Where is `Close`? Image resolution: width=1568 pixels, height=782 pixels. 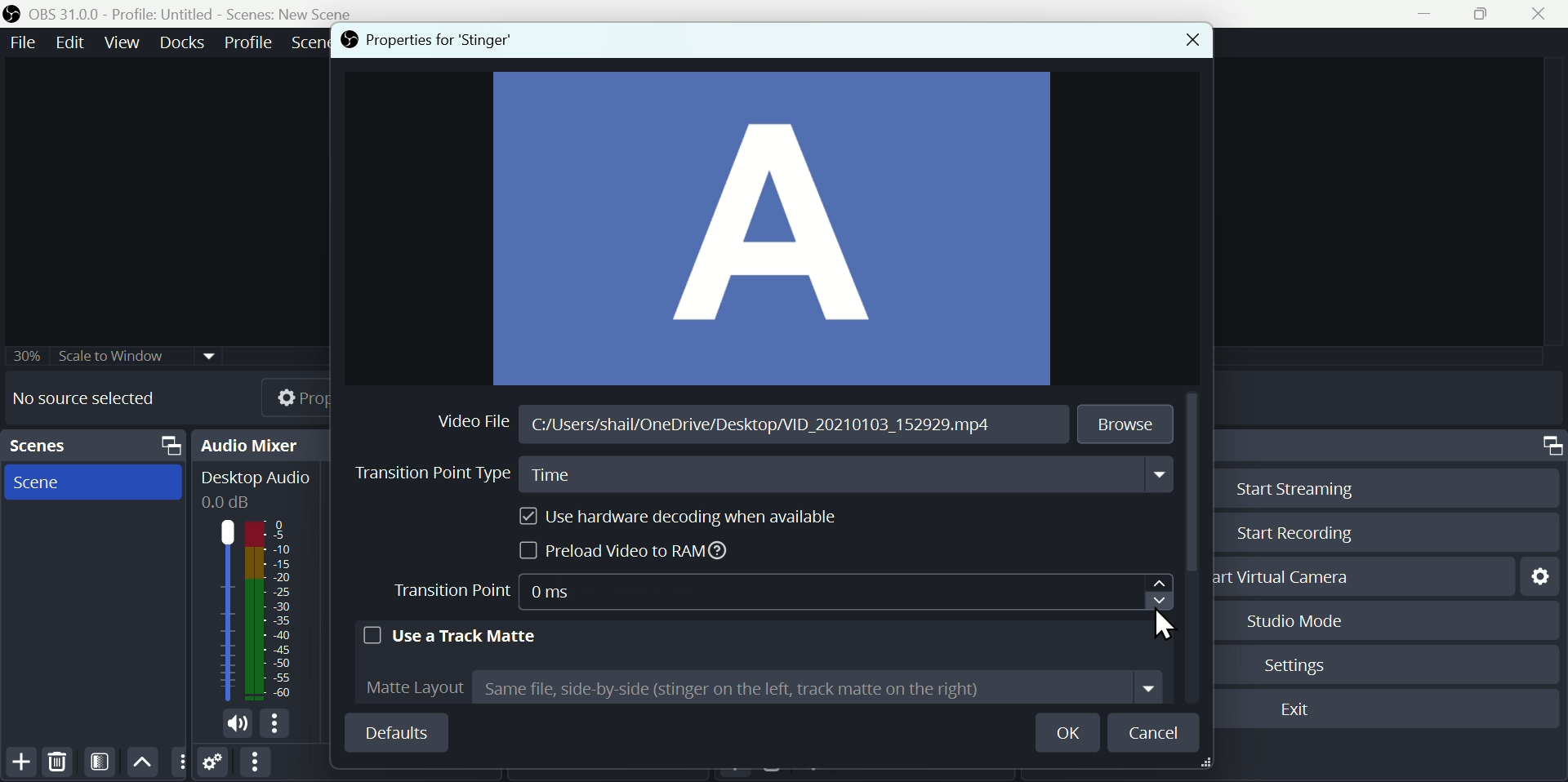 Close is located at coordinates (1185, 42).